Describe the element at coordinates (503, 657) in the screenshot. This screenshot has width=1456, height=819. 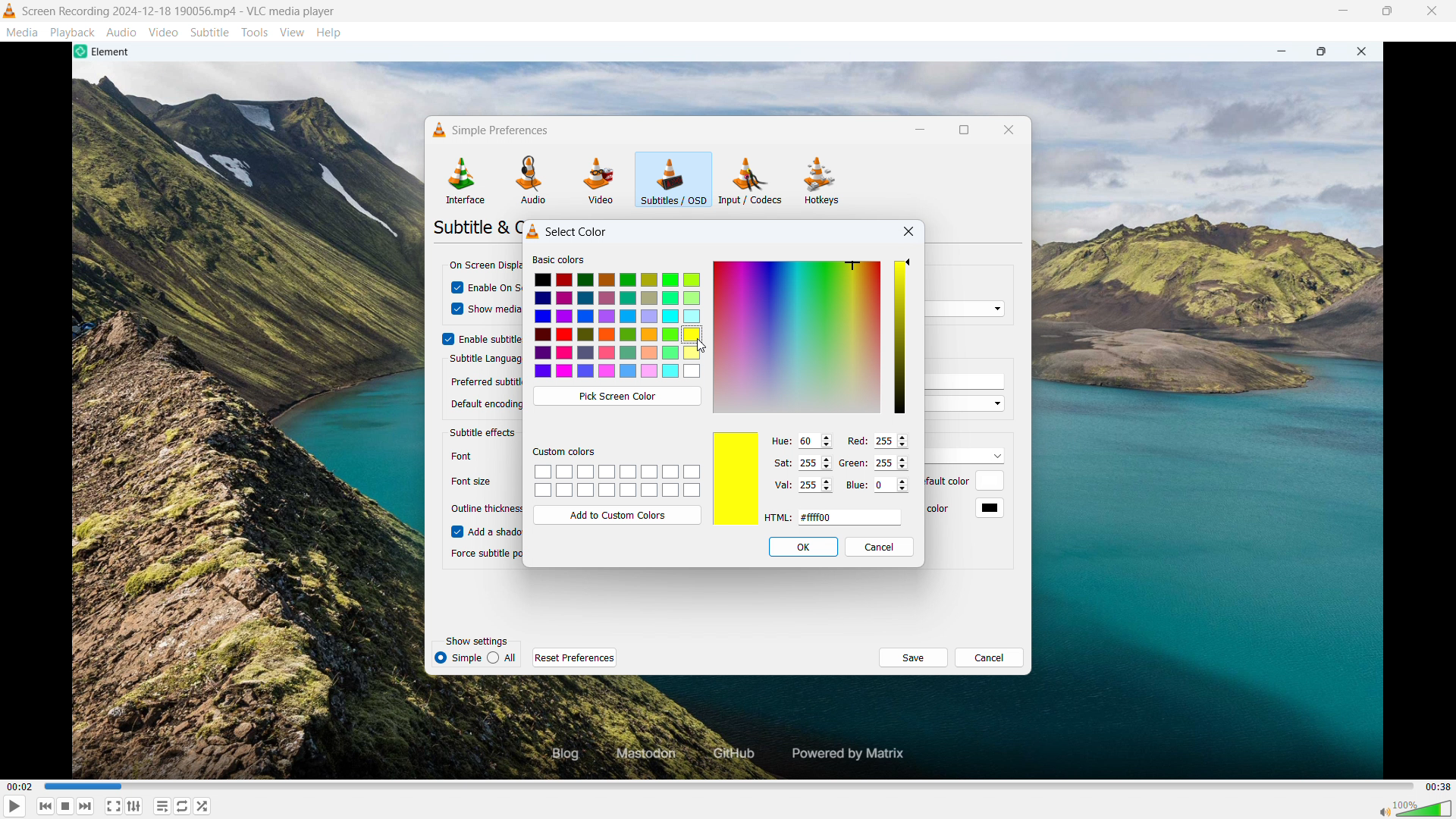
I see `all ` at that location.